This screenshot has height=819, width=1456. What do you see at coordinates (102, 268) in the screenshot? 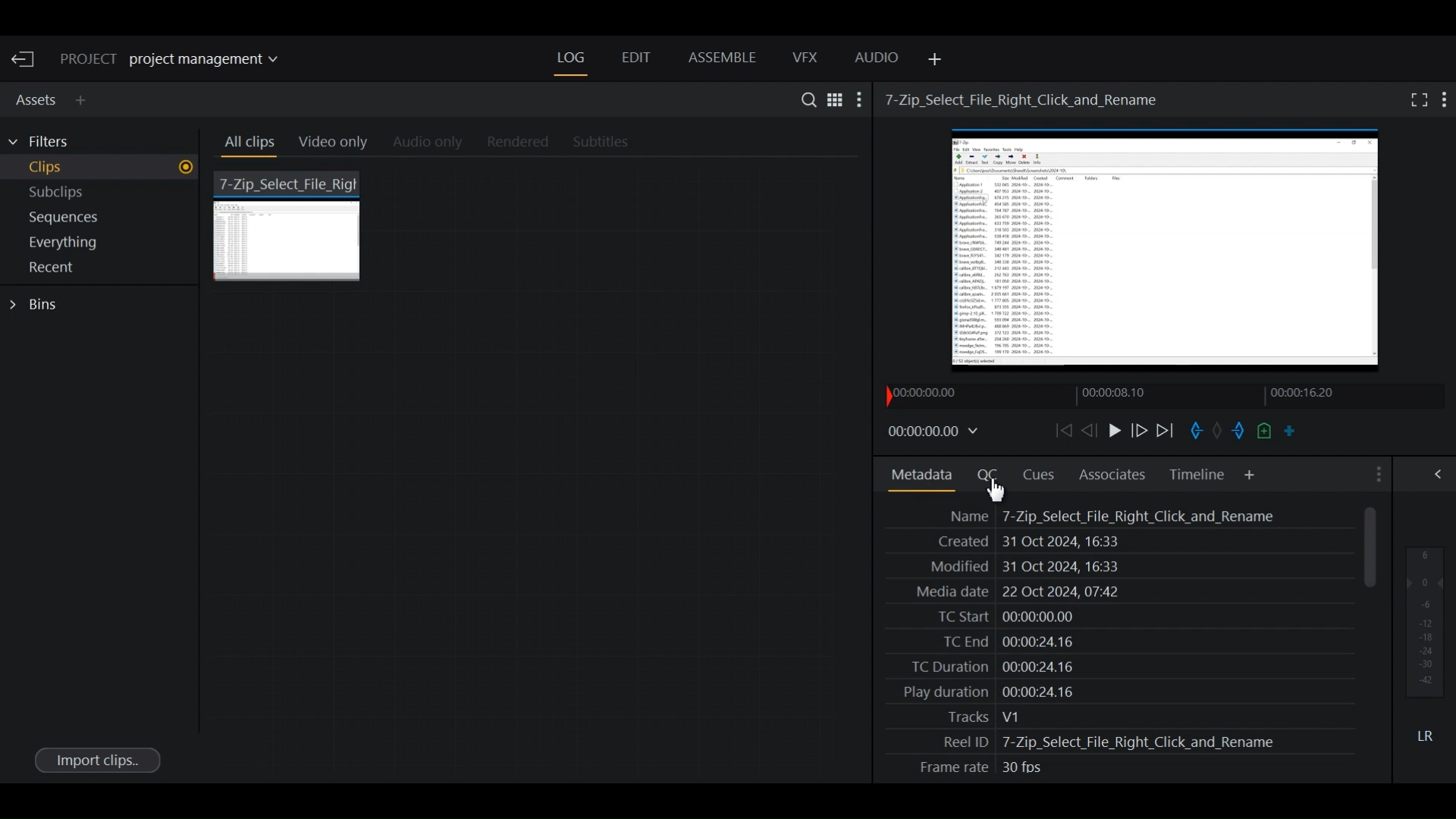
I see `Show Recent in current project` at bounding box center [102, 268].